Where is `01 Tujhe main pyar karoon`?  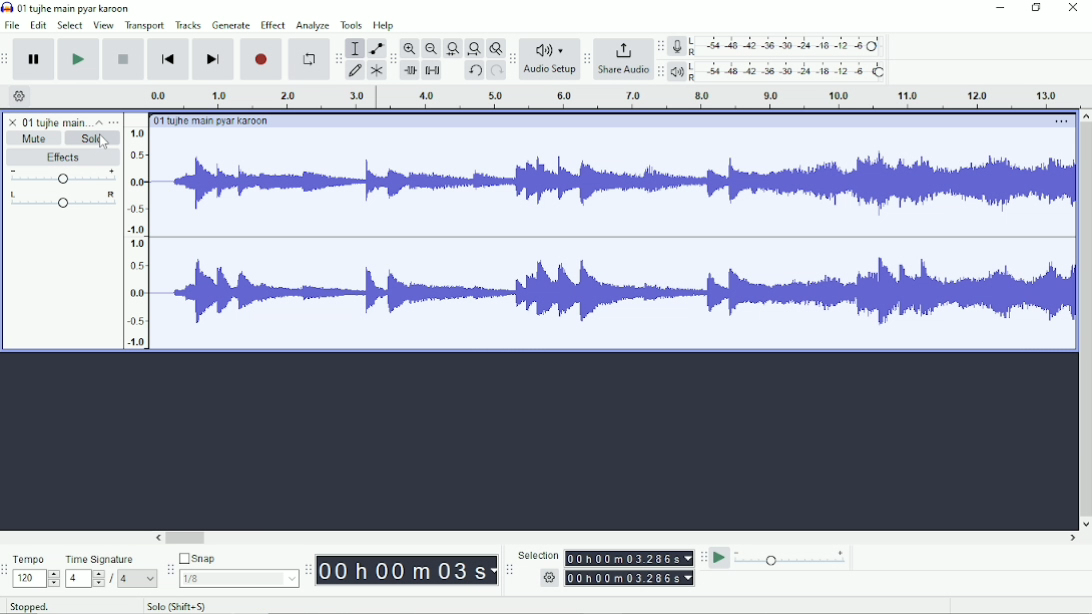 01 Tujhe main pyar karoon is located at coordinates (69, 7).